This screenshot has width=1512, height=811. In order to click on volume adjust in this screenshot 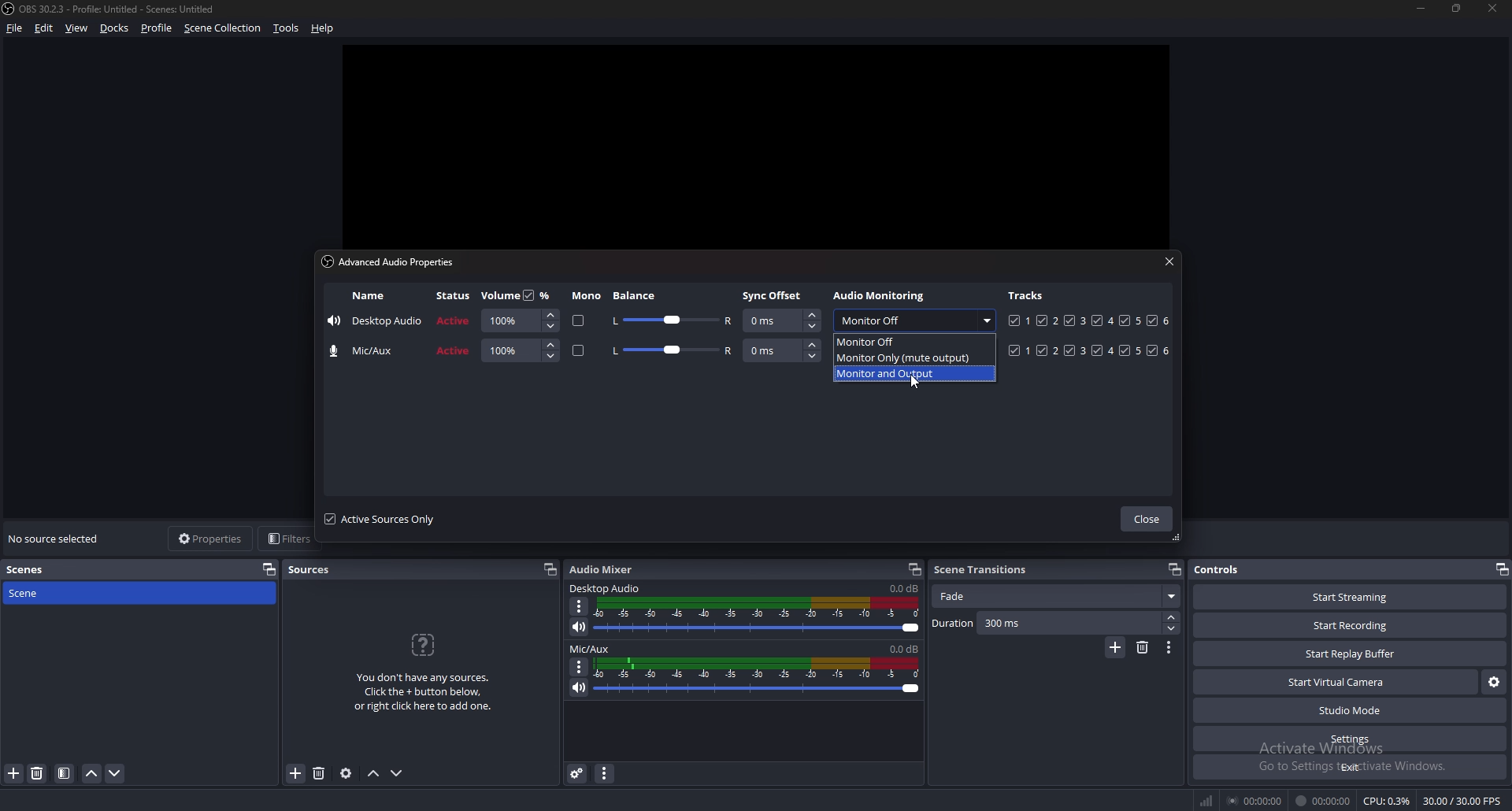, I will do `click(520, 351)`.